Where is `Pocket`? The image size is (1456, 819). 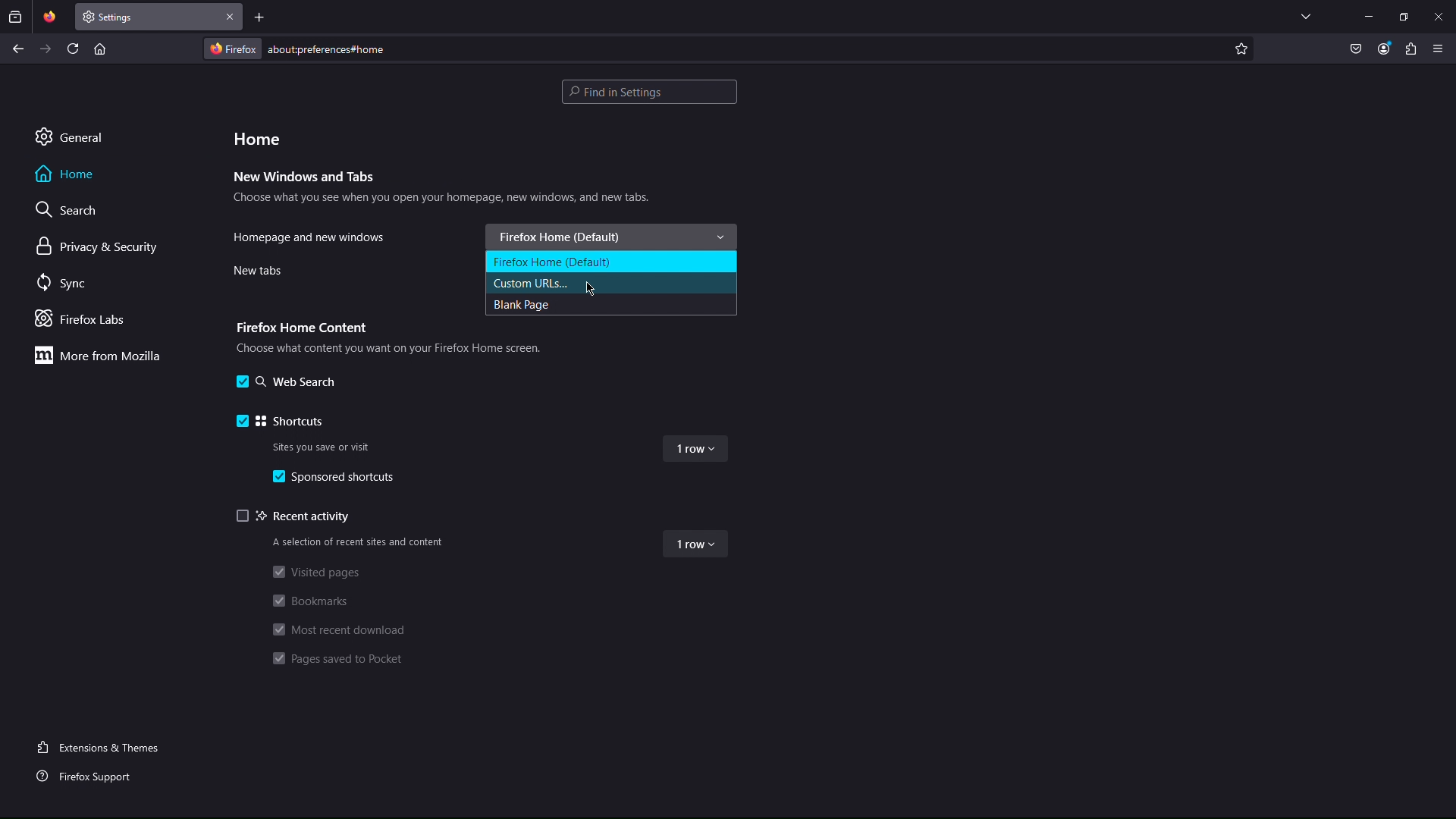 Pocket is located at coordinates (1357, 50).